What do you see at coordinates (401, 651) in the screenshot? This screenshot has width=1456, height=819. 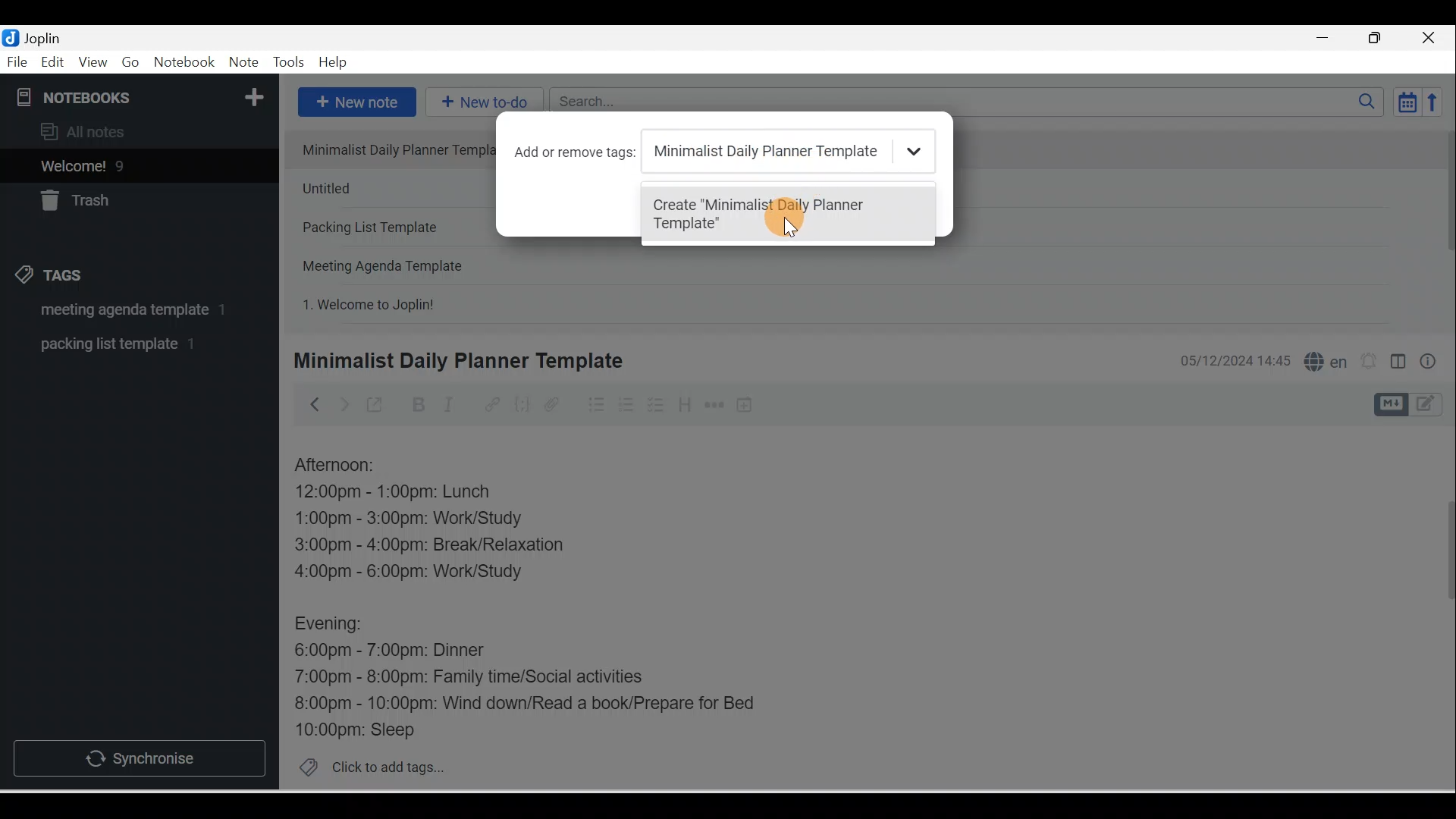 I see `6:00pm - 7:00pm: Dinner` at bounding box center [401, 651].